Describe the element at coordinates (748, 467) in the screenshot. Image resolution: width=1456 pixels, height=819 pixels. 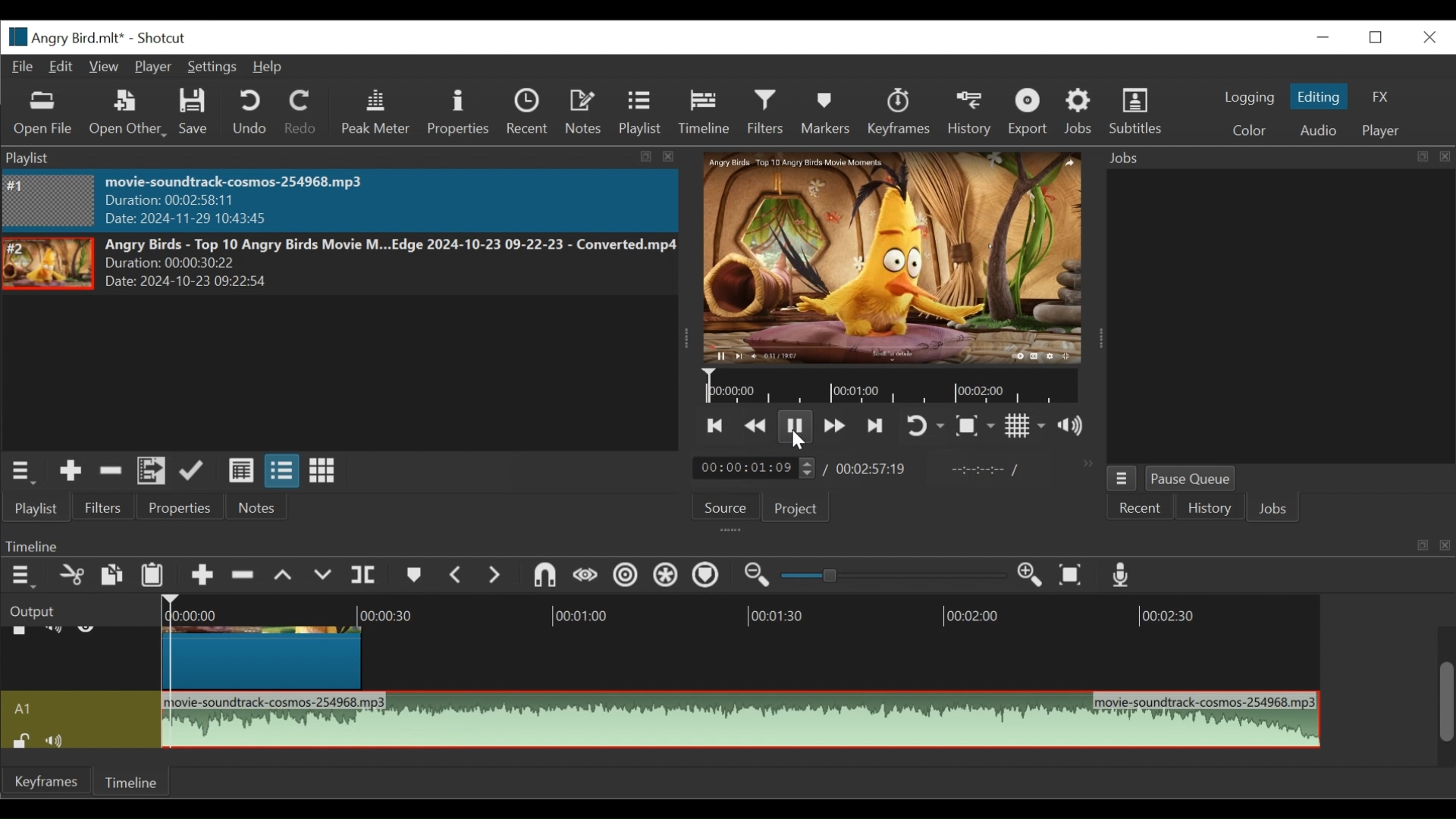
I see `/ 00:00:01:09(Current duration)` at that location.